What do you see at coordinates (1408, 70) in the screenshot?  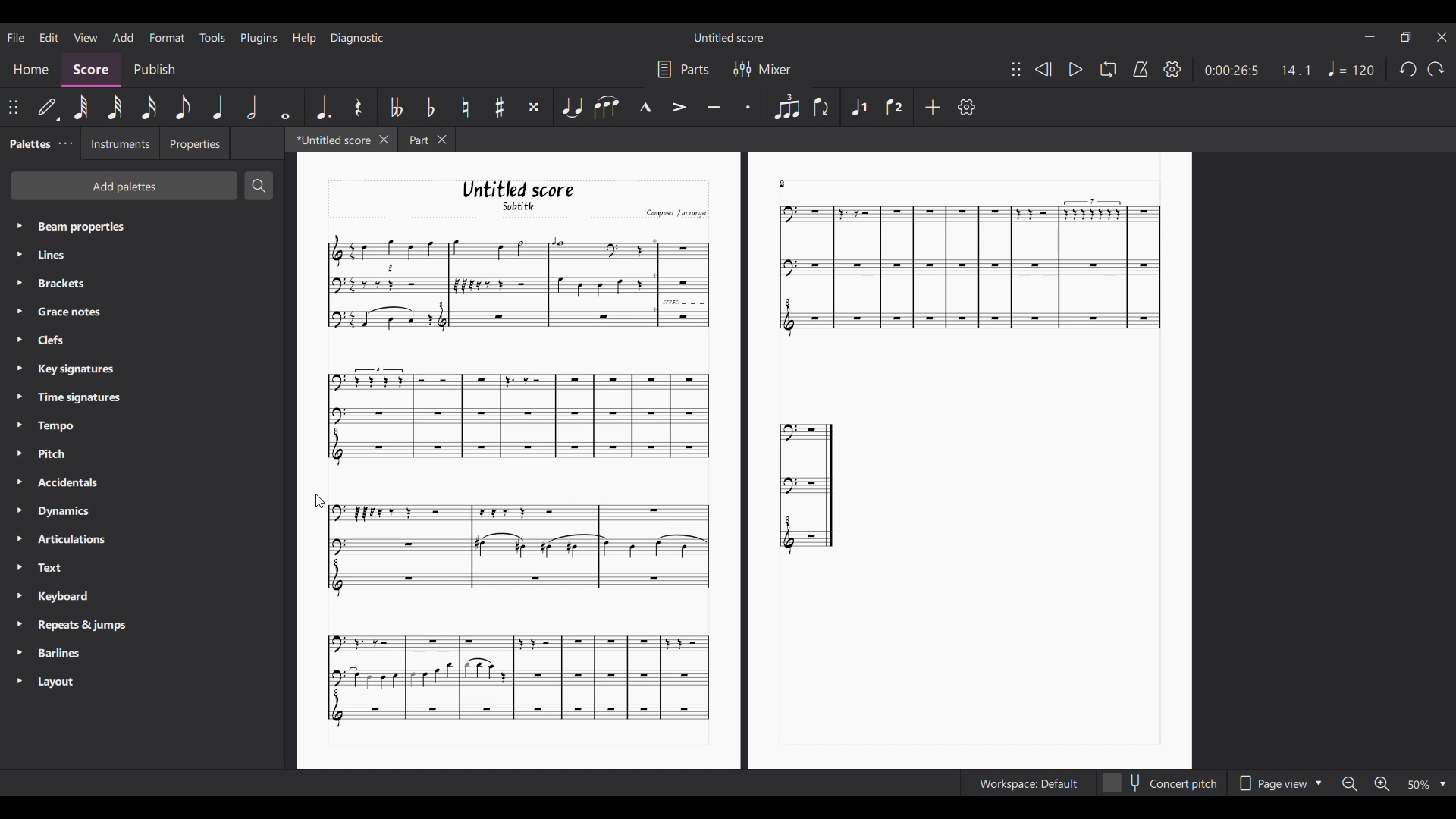 I see `Undo` at bounding box center [1408, 70].